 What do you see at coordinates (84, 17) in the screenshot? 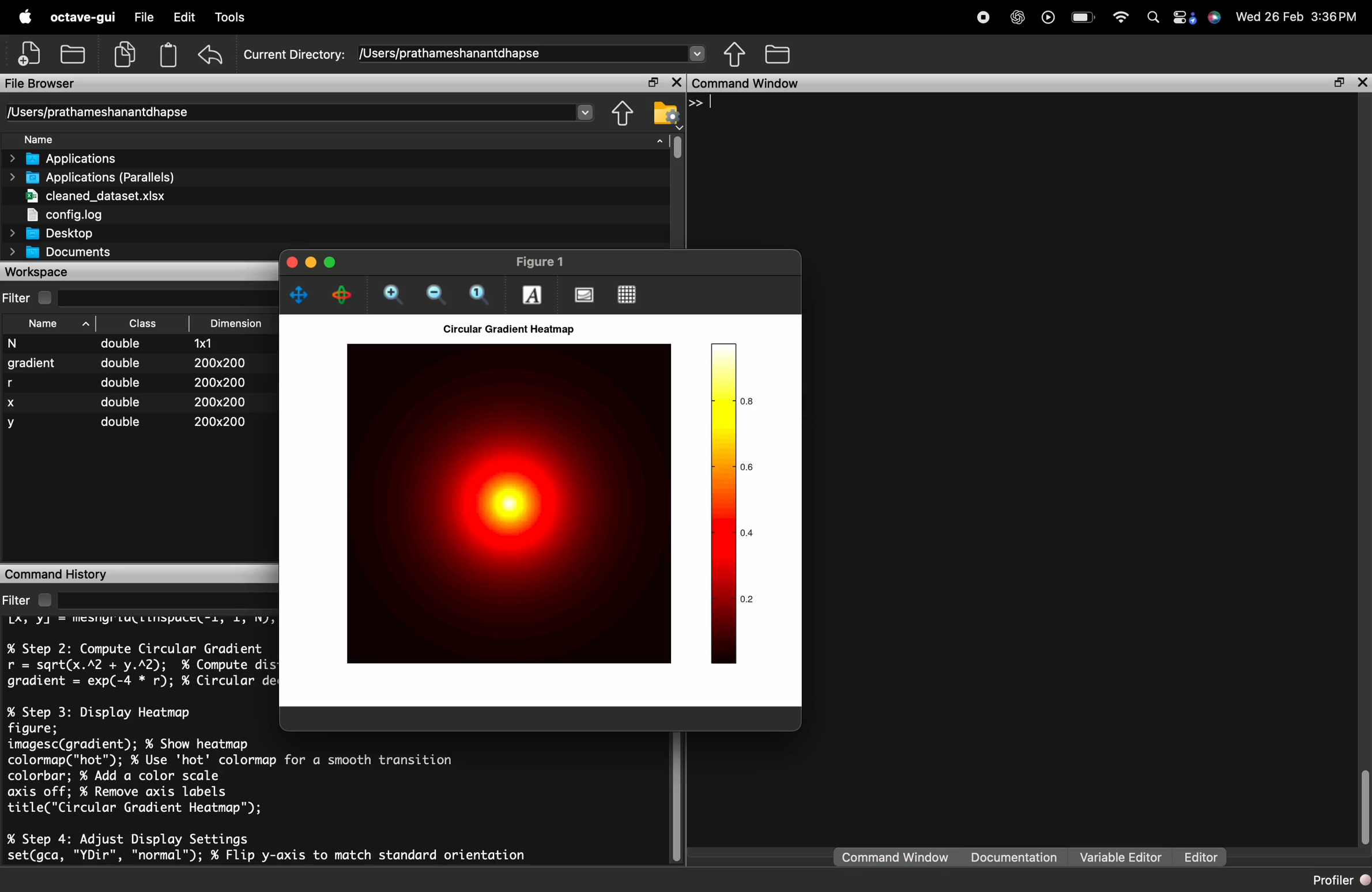
I see `octave-gui` at bounding box center [84, 17].